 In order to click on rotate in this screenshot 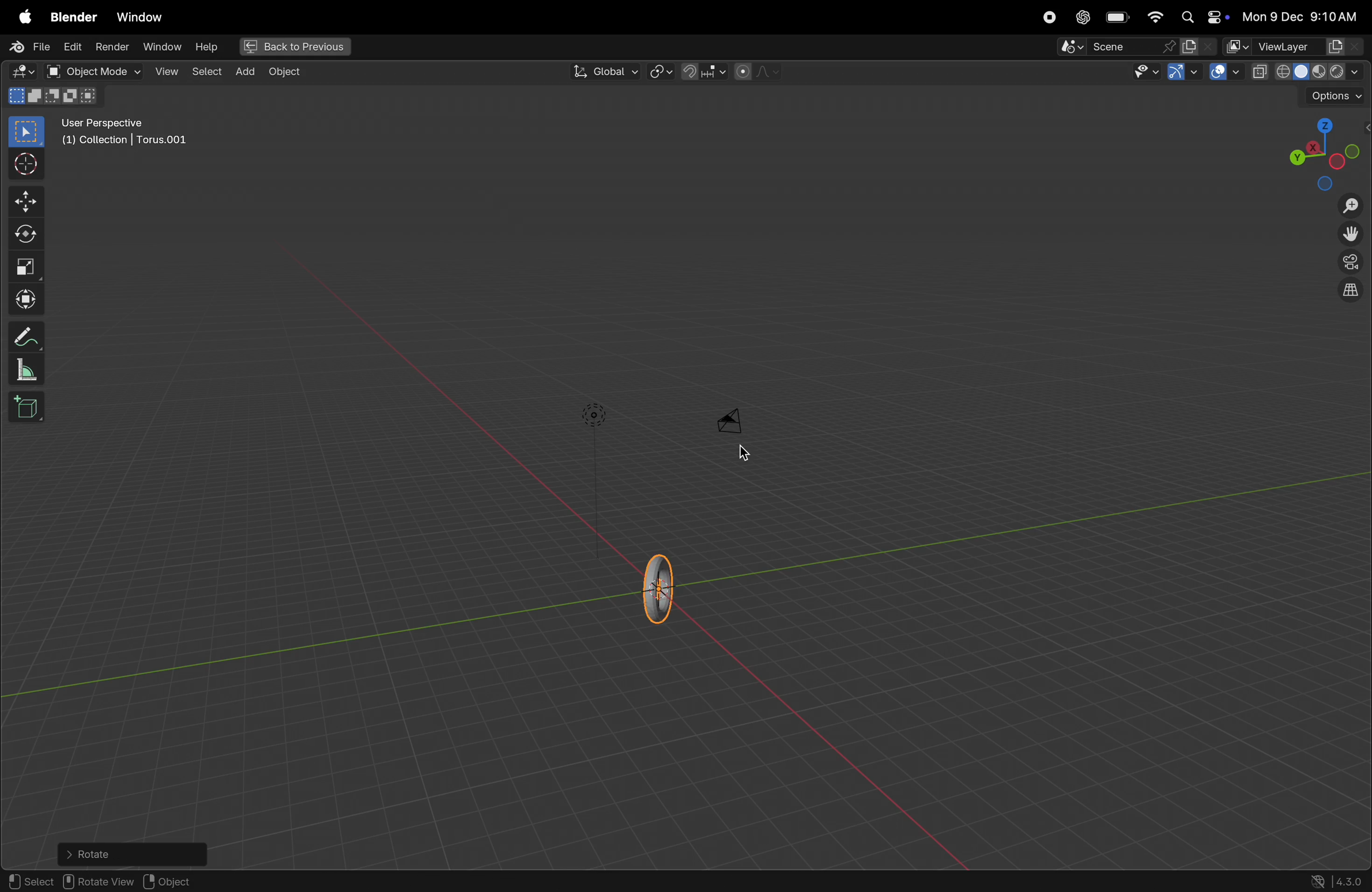, I will do `click(133, 854)`.